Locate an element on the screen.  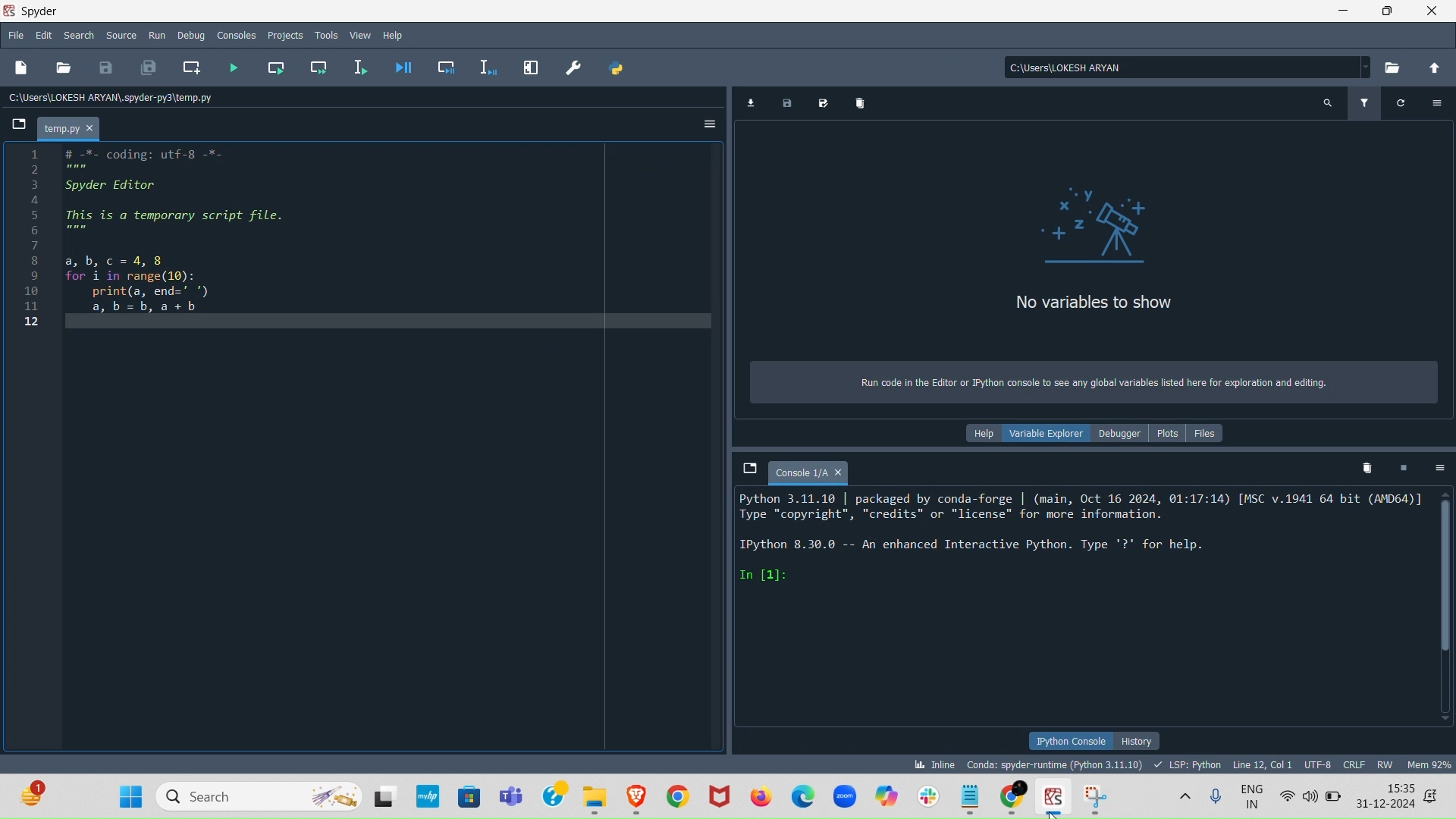
Version is located at coordinates (1057, 764).